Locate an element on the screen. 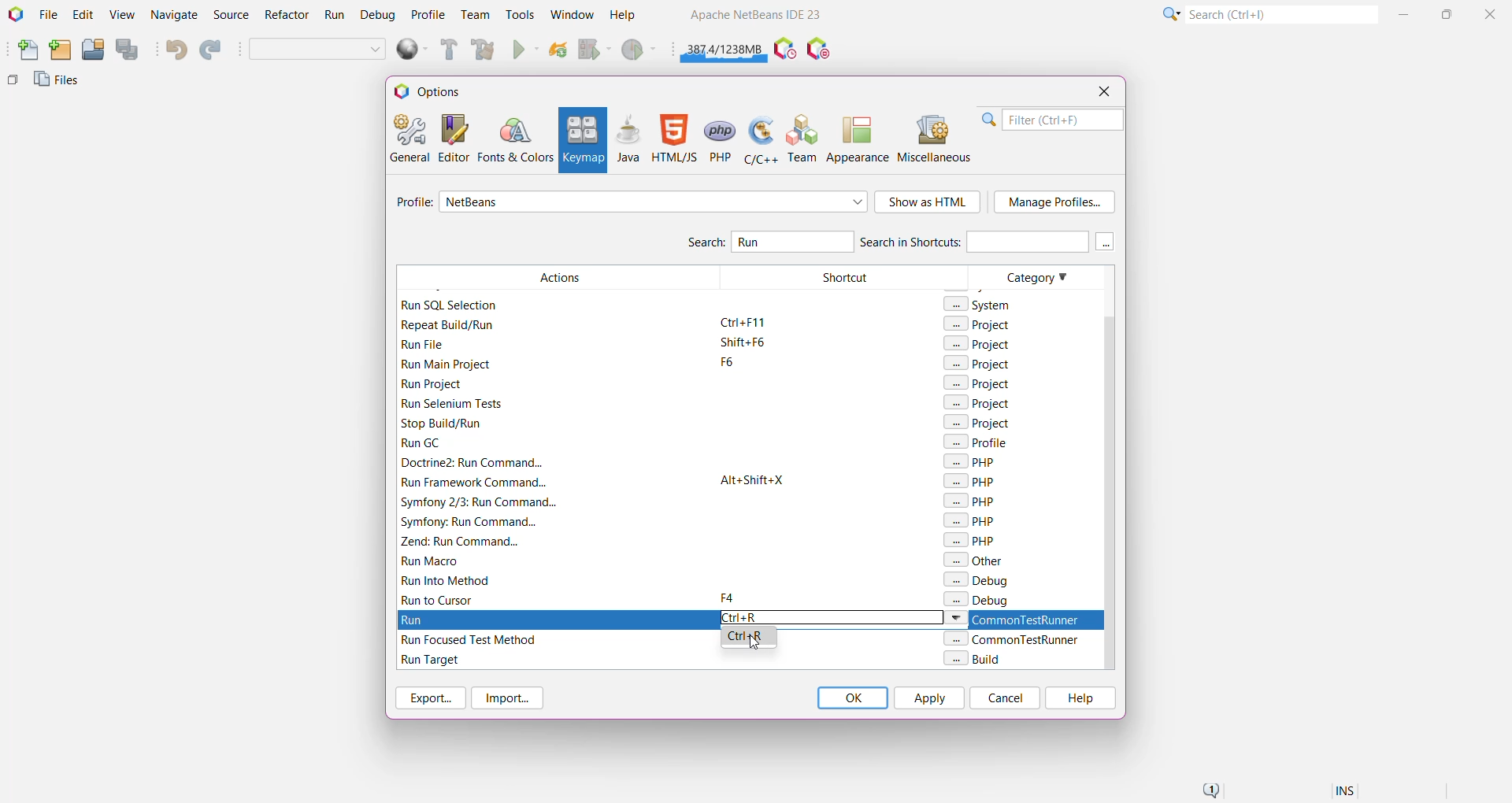 The image size is (1512, 803). New File is located at coordinates (24, 51).